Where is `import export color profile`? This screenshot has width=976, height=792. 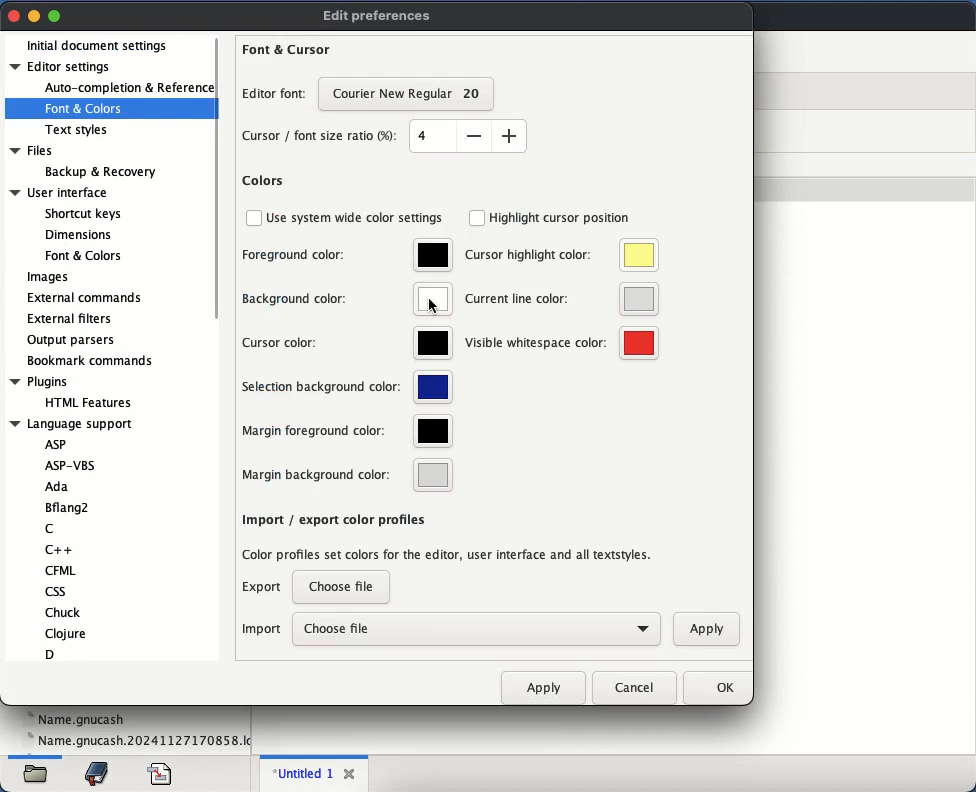
import export color profile is located at coordinates (452, 539).